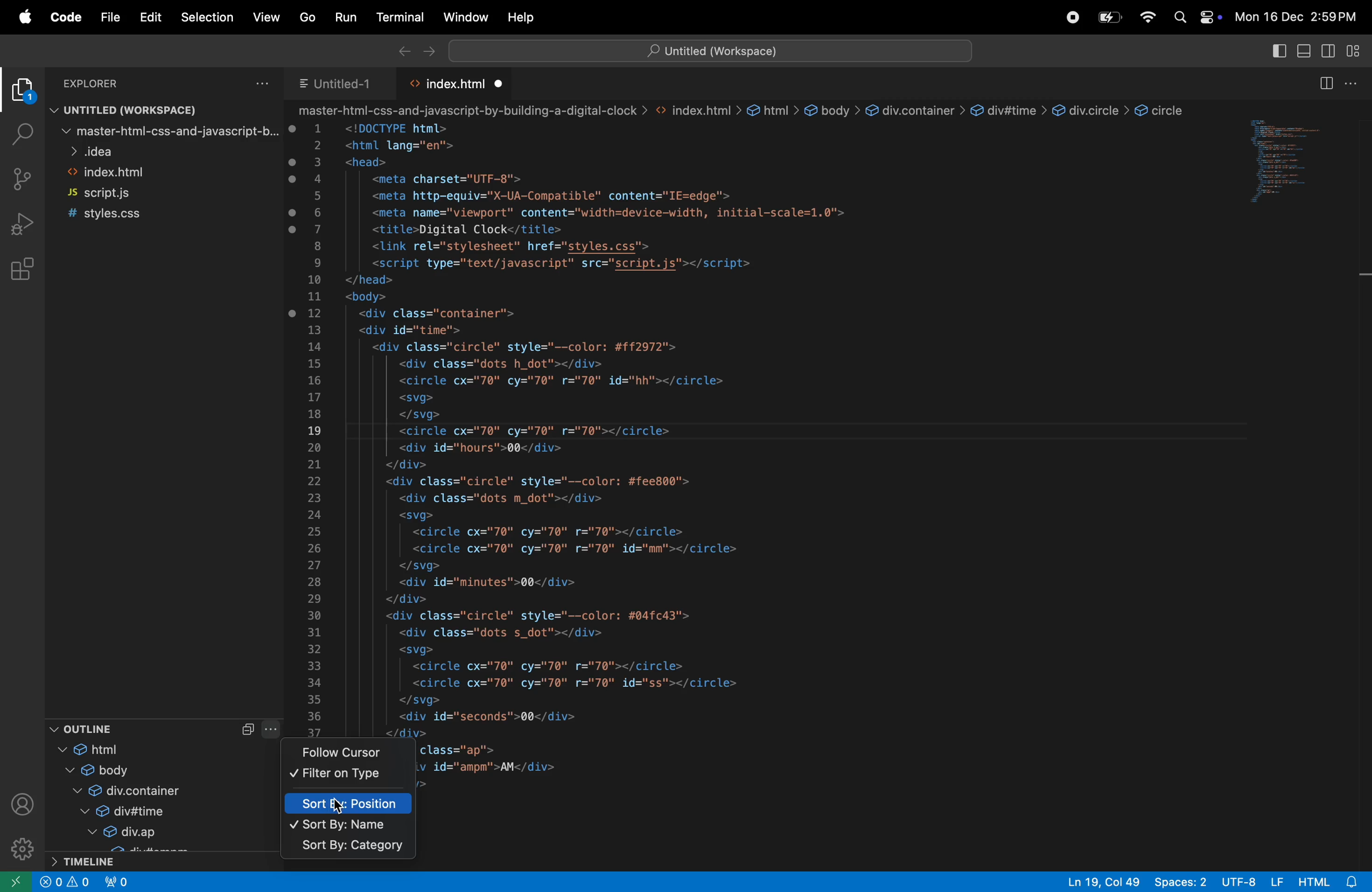 Image resolution: width=1372 pixels, height=892 pixels. Describe the element at coordinates (427, 50) in the screenshot. I see `forward` at that location.